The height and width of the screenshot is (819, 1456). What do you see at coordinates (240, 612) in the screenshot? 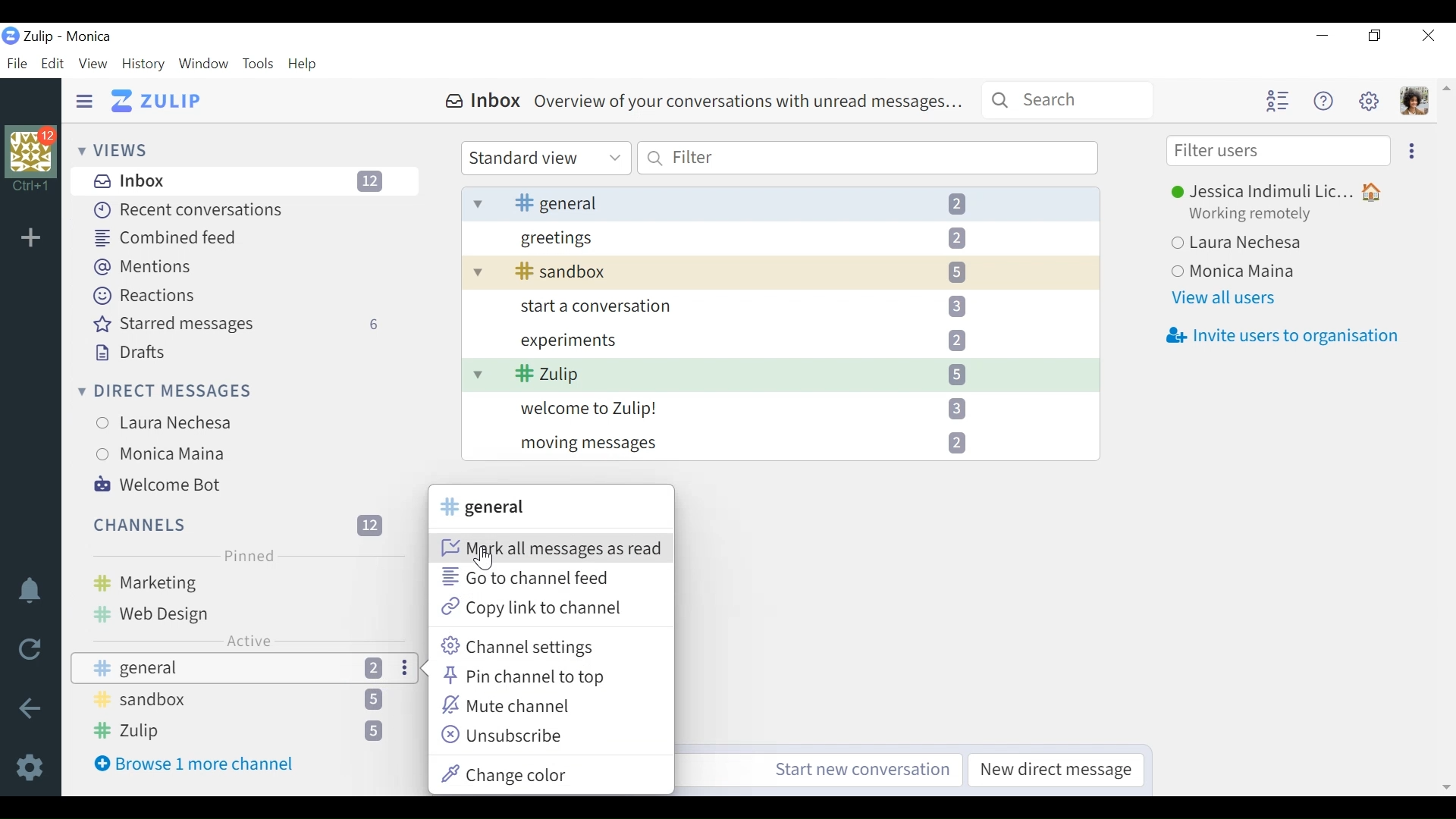
I see `Web design` at bounding box center [240, 612].